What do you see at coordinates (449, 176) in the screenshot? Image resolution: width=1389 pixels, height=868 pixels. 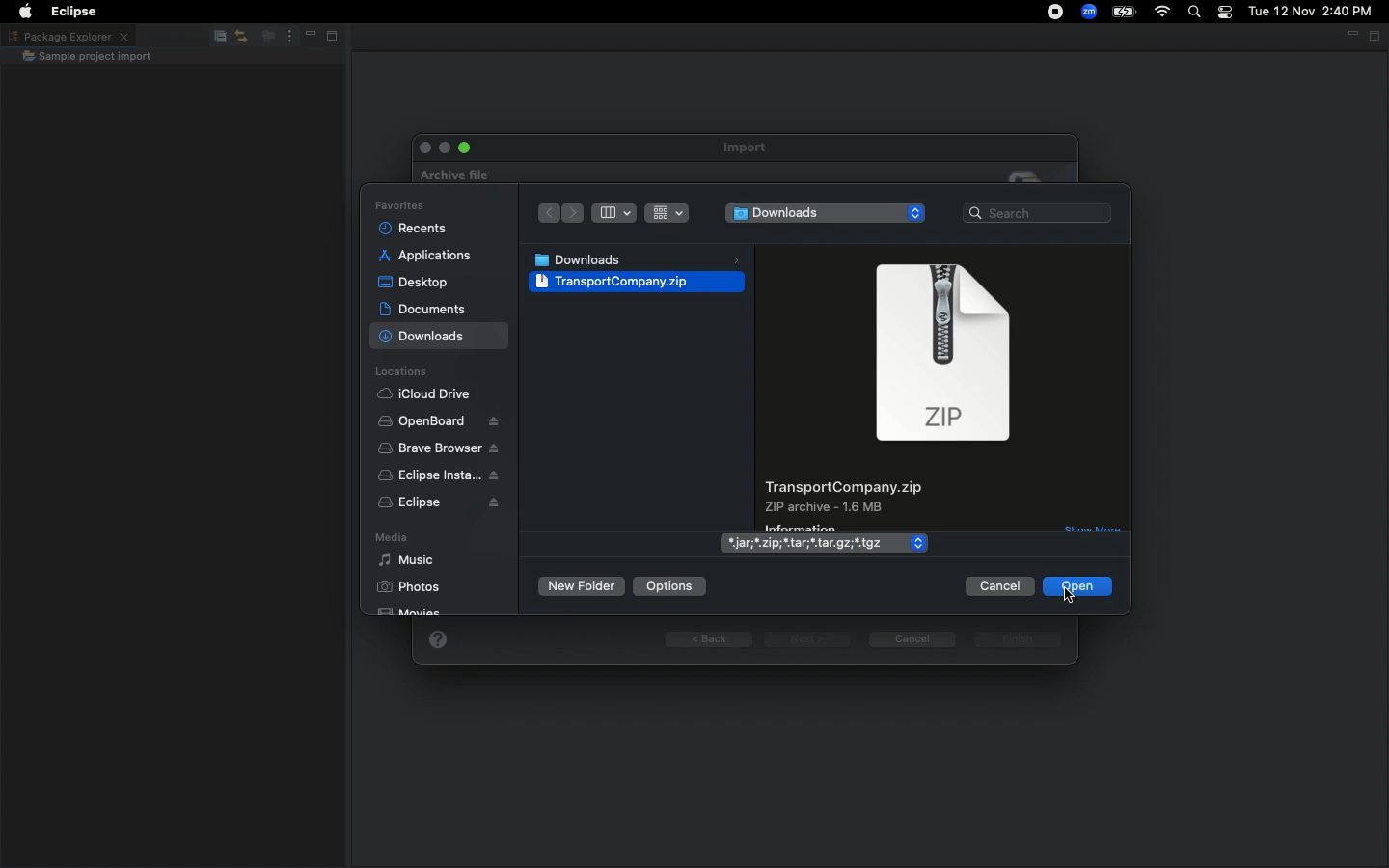 I see `archive file` at bounding box center [449, 176].